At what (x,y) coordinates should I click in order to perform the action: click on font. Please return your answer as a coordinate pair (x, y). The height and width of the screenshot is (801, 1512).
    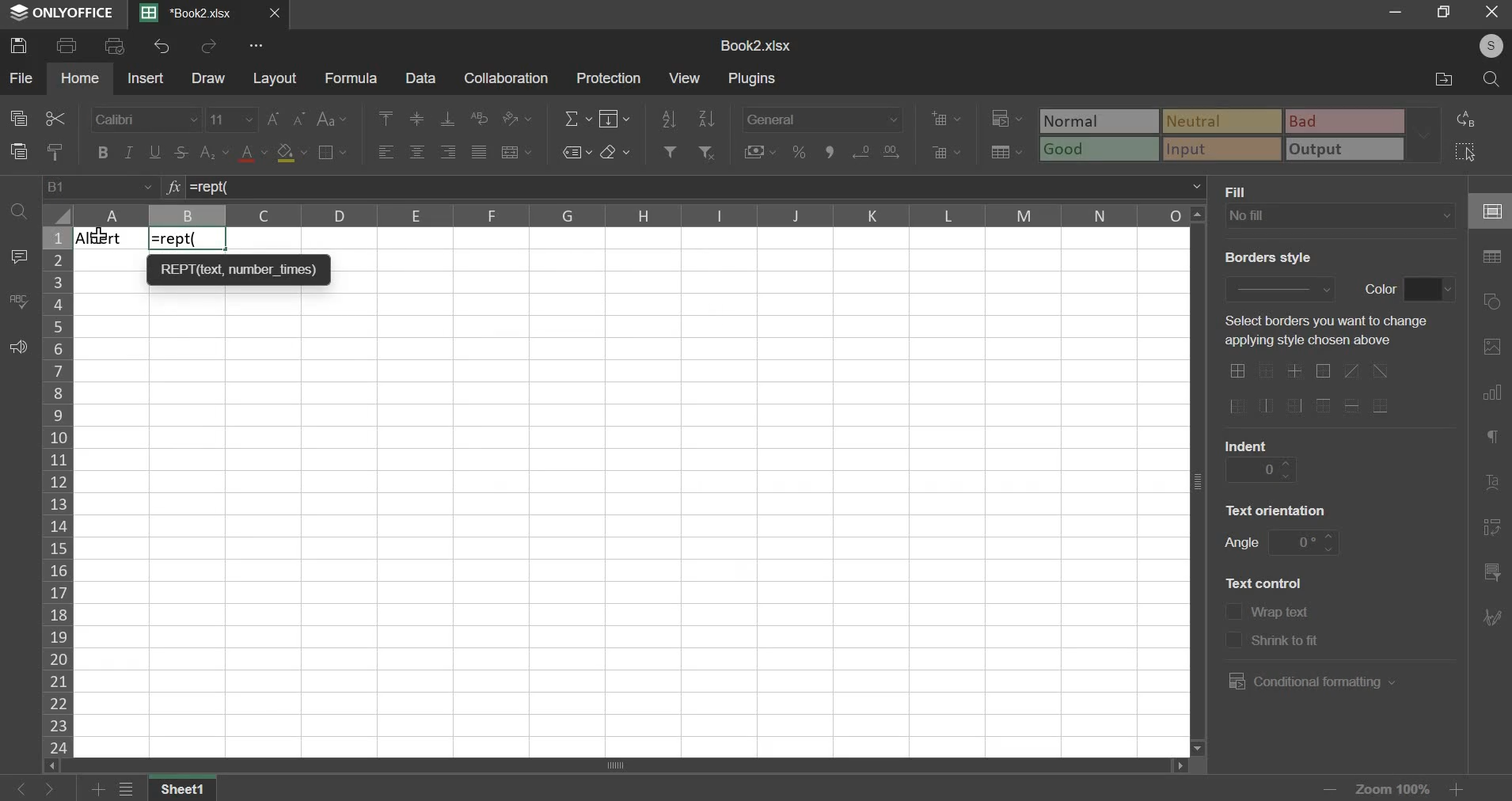
    Looking at the image, I should click on (146, 120).